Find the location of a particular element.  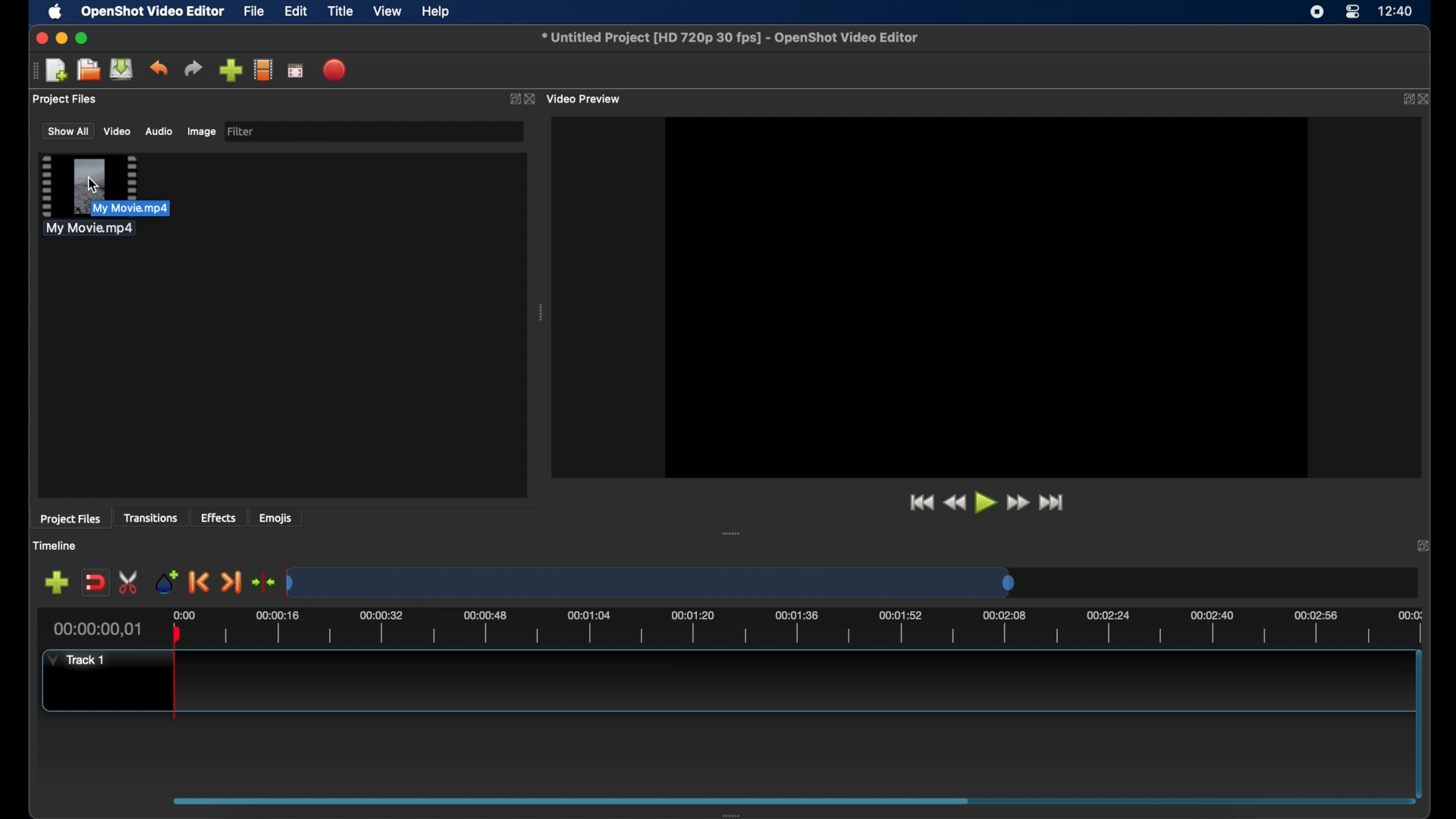

timeline scale is located at coordinates (652, 584).